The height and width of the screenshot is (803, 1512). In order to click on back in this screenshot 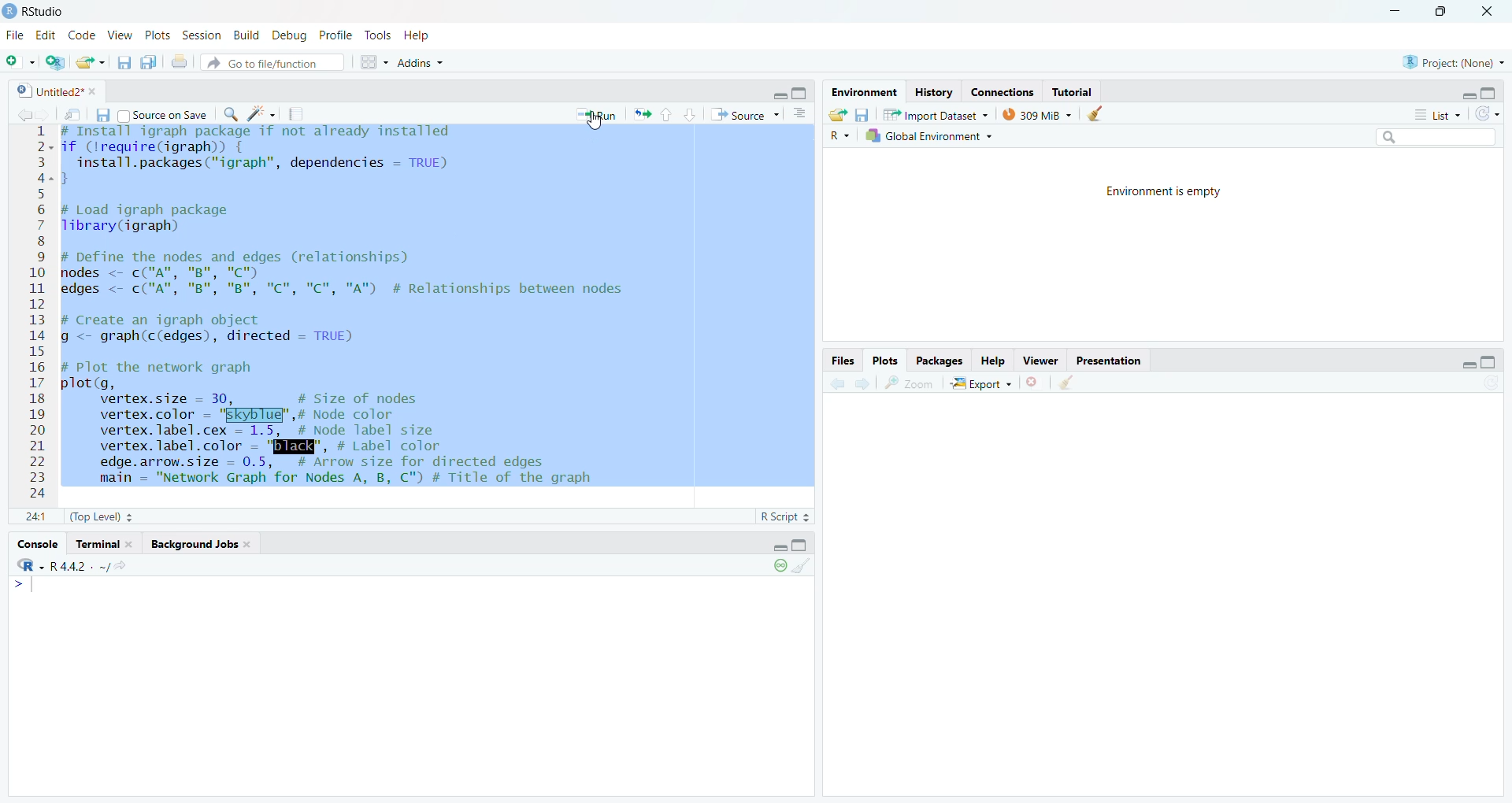, I will do `click(834, 386)`.